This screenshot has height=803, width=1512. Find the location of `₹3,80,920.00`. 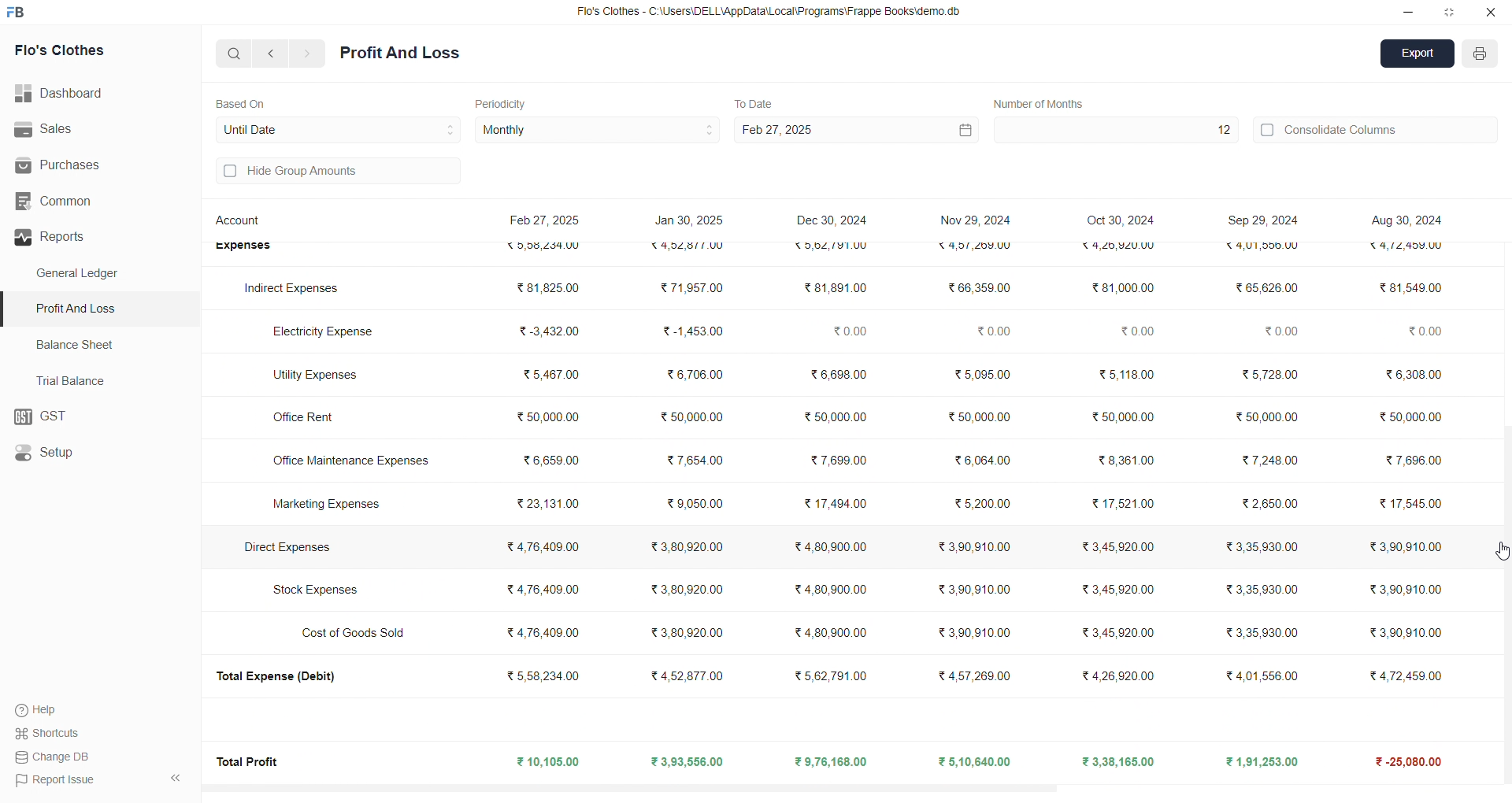

₹3,80,920.00 is located at coordinates (685, 547).